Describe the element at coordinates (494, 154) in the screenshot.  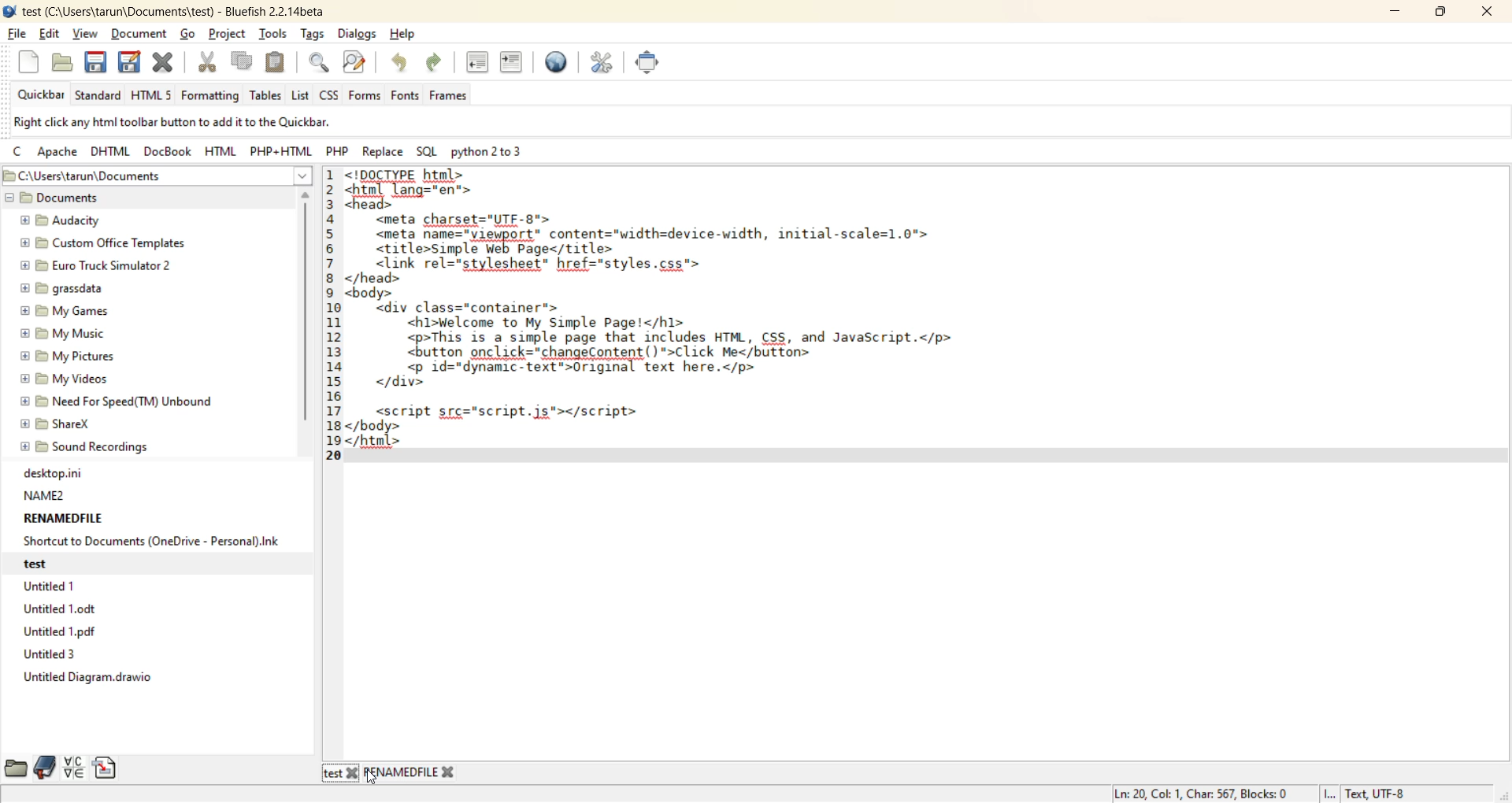
I see `python 2 to 3` at that location.